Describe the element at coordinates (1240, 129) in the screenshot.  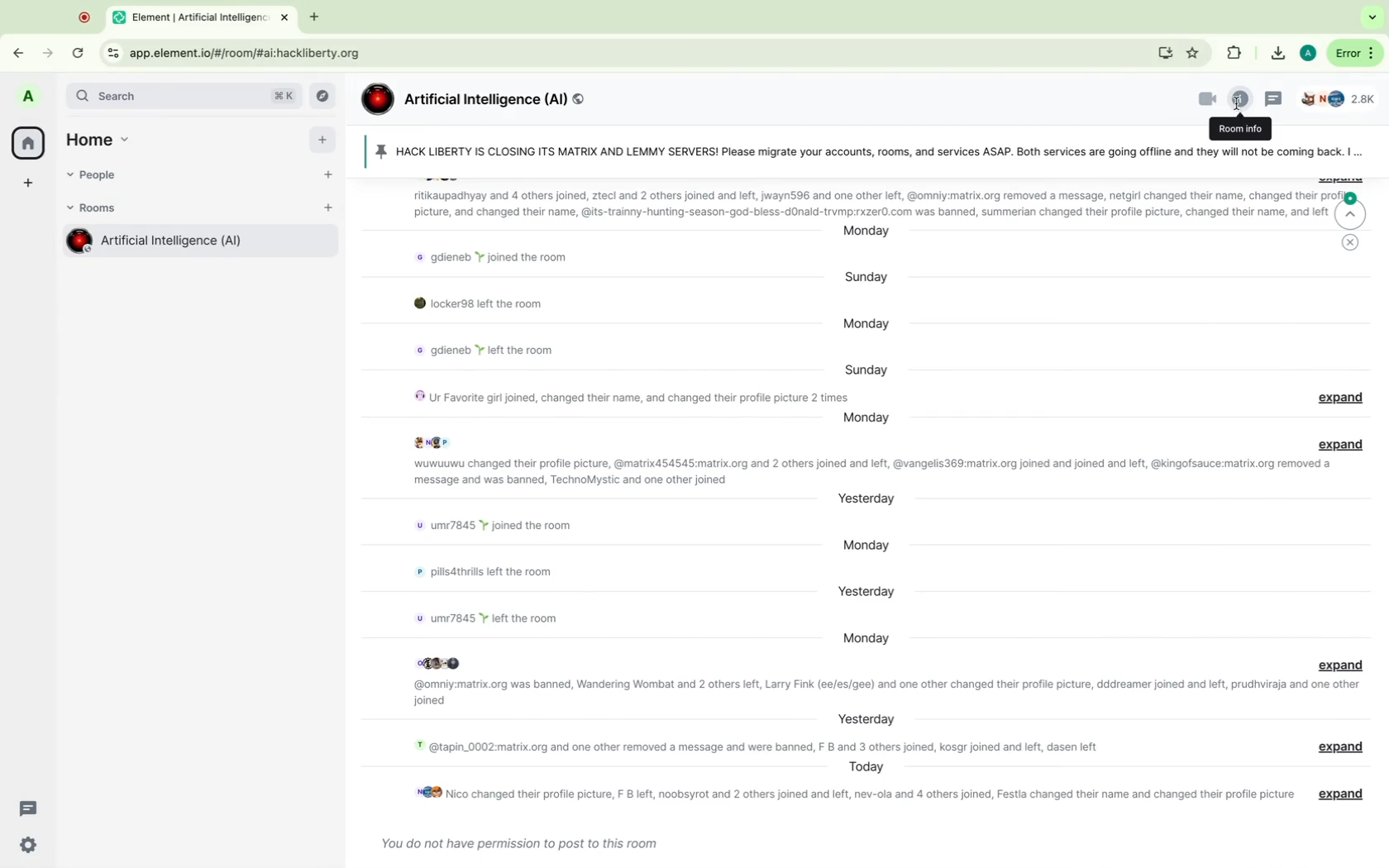
I see `room info` at that location.